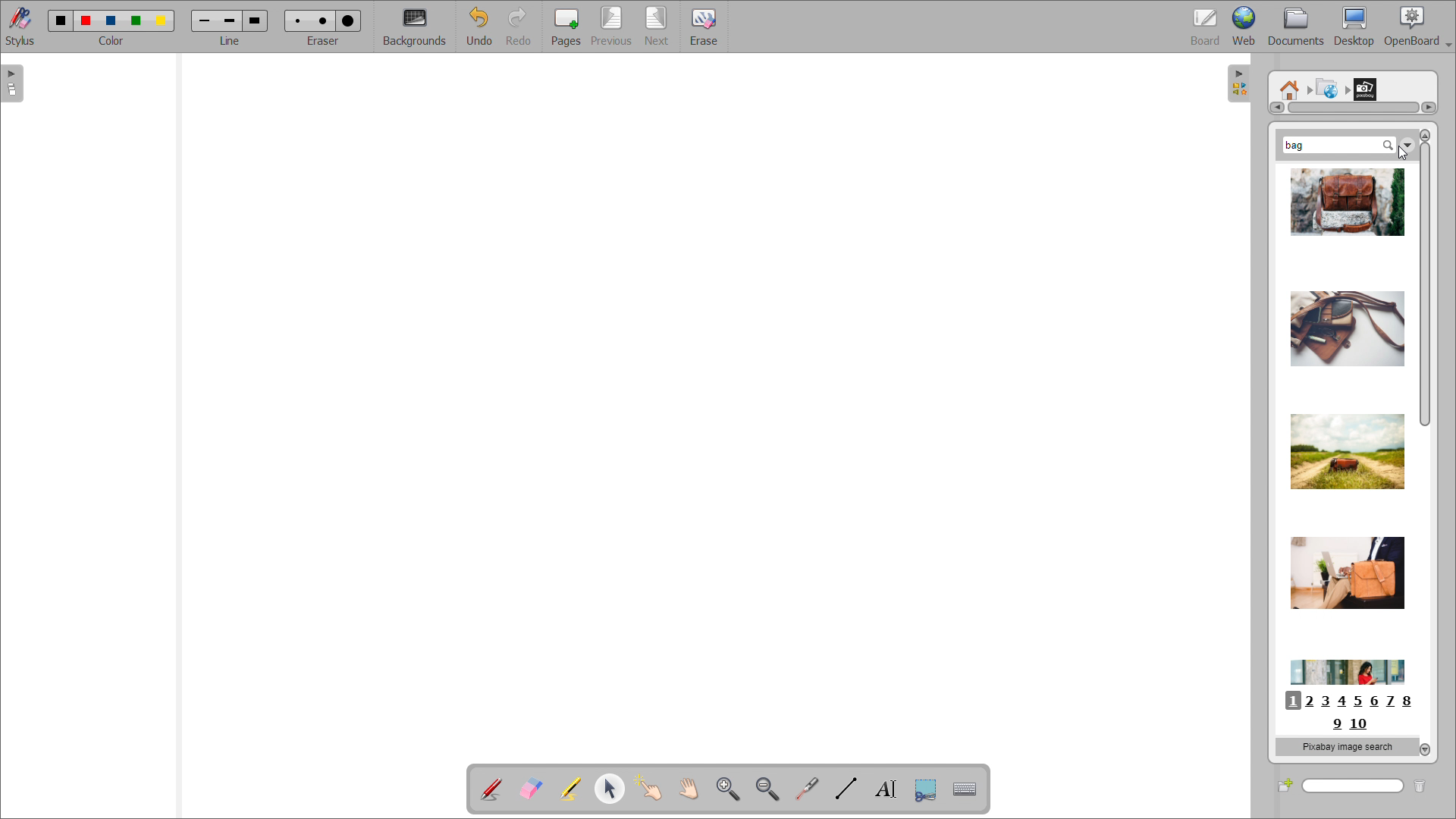  I want to click on draw lines, so click(846, 789).